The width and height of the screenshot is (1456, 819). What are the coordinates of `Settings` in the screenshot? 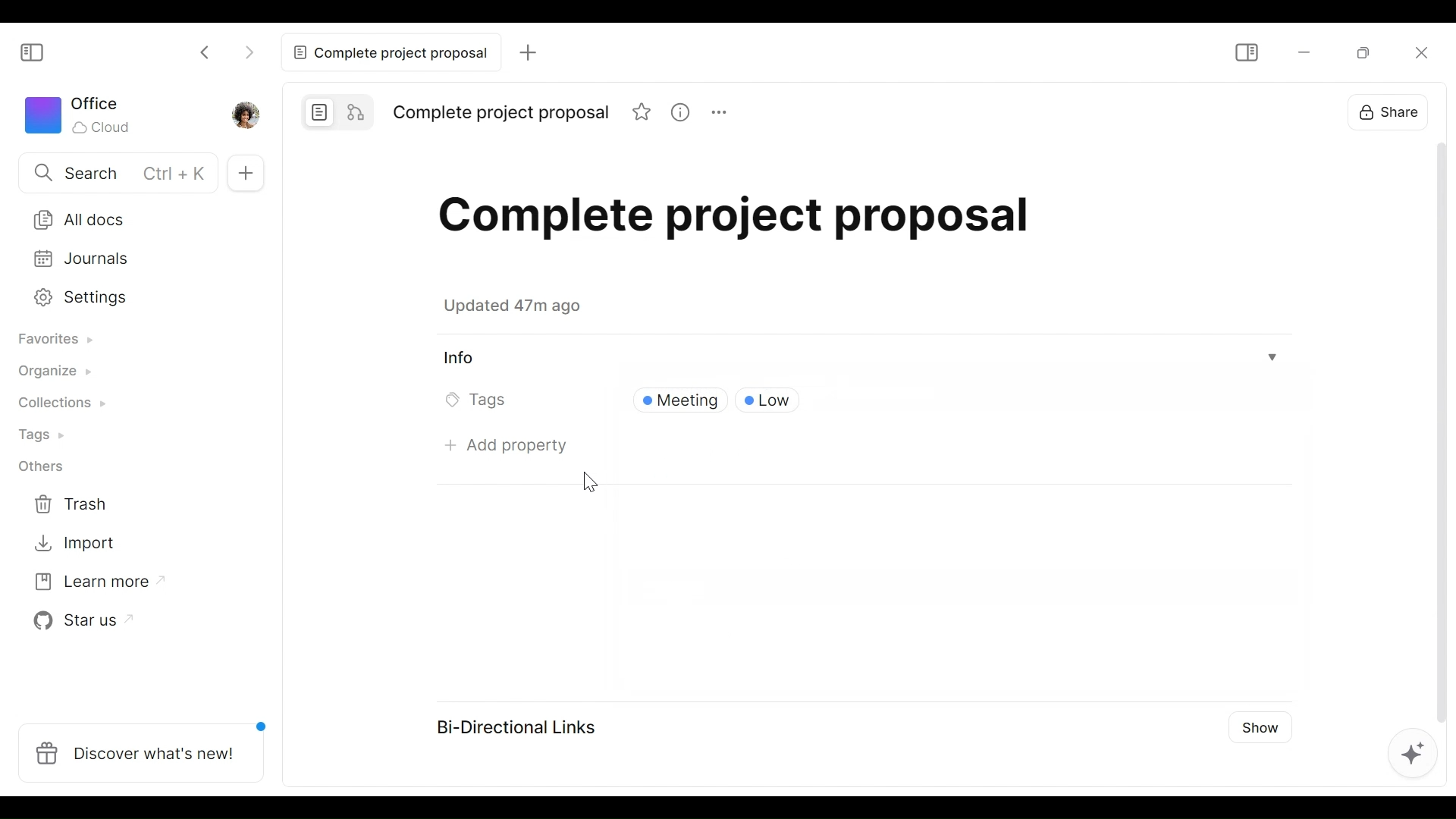 It's located at (127, 298).